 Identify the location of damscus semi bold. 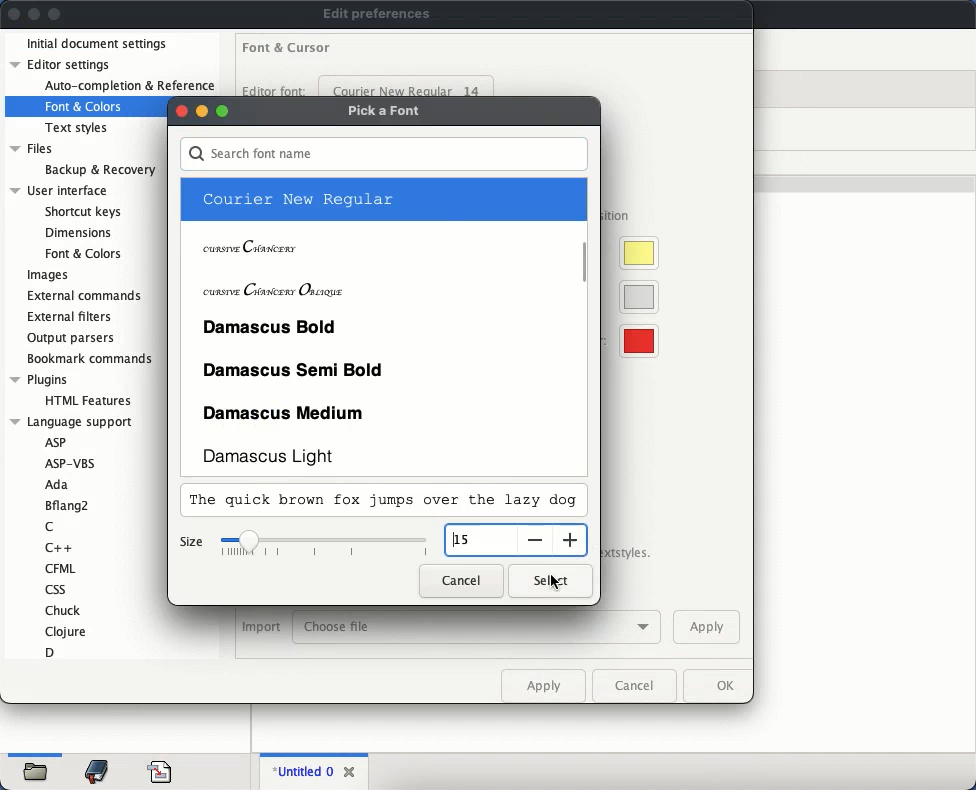
(383, 367).